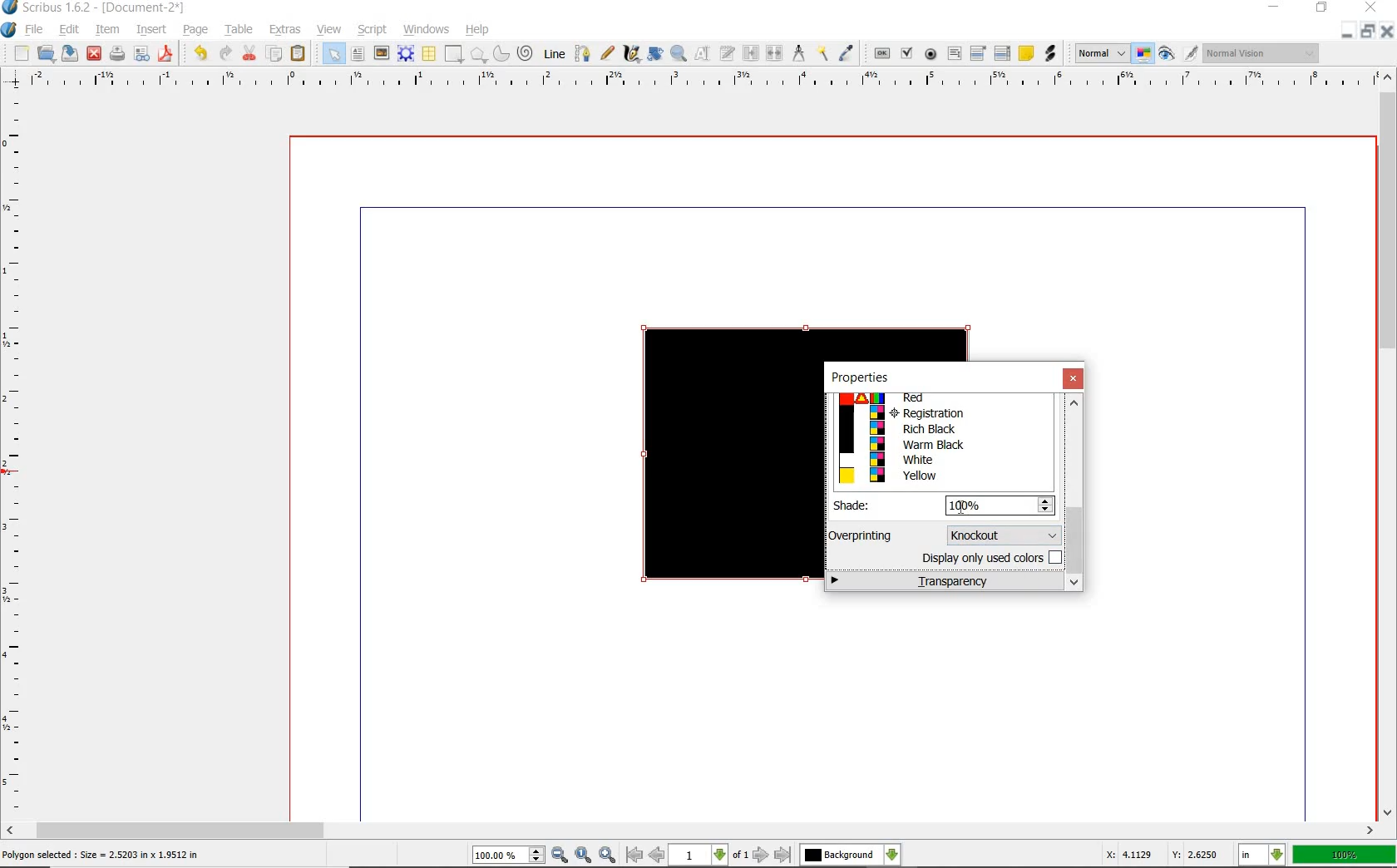 The height and width of the screenshot is (868, 1397). What do you see at coordinates (1261, 54) in the screenshot?
I see `Visual appearance of the display` at bounding box center [1261, 54].